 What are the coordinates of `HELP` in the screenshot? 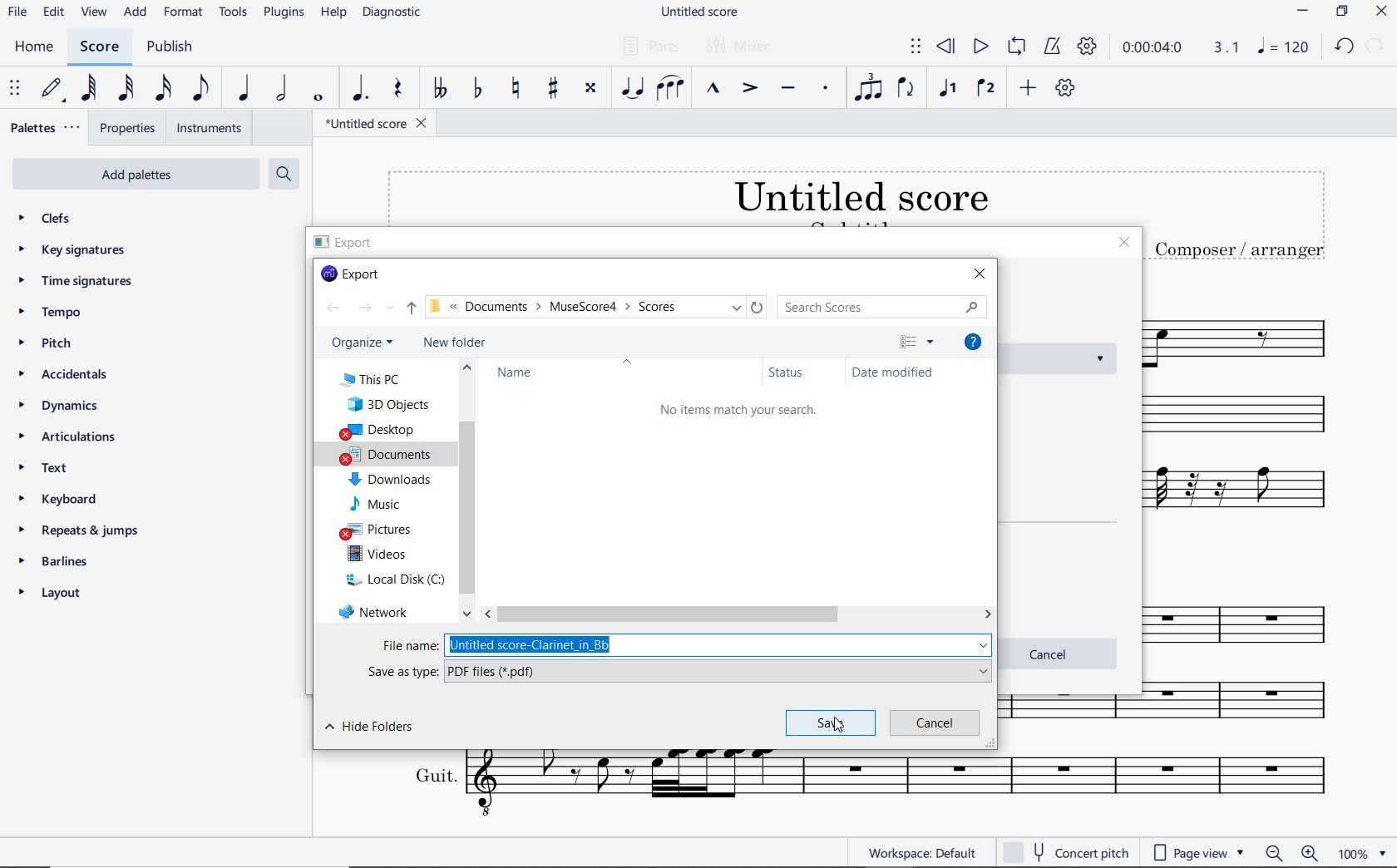 It's located at (973, 343).